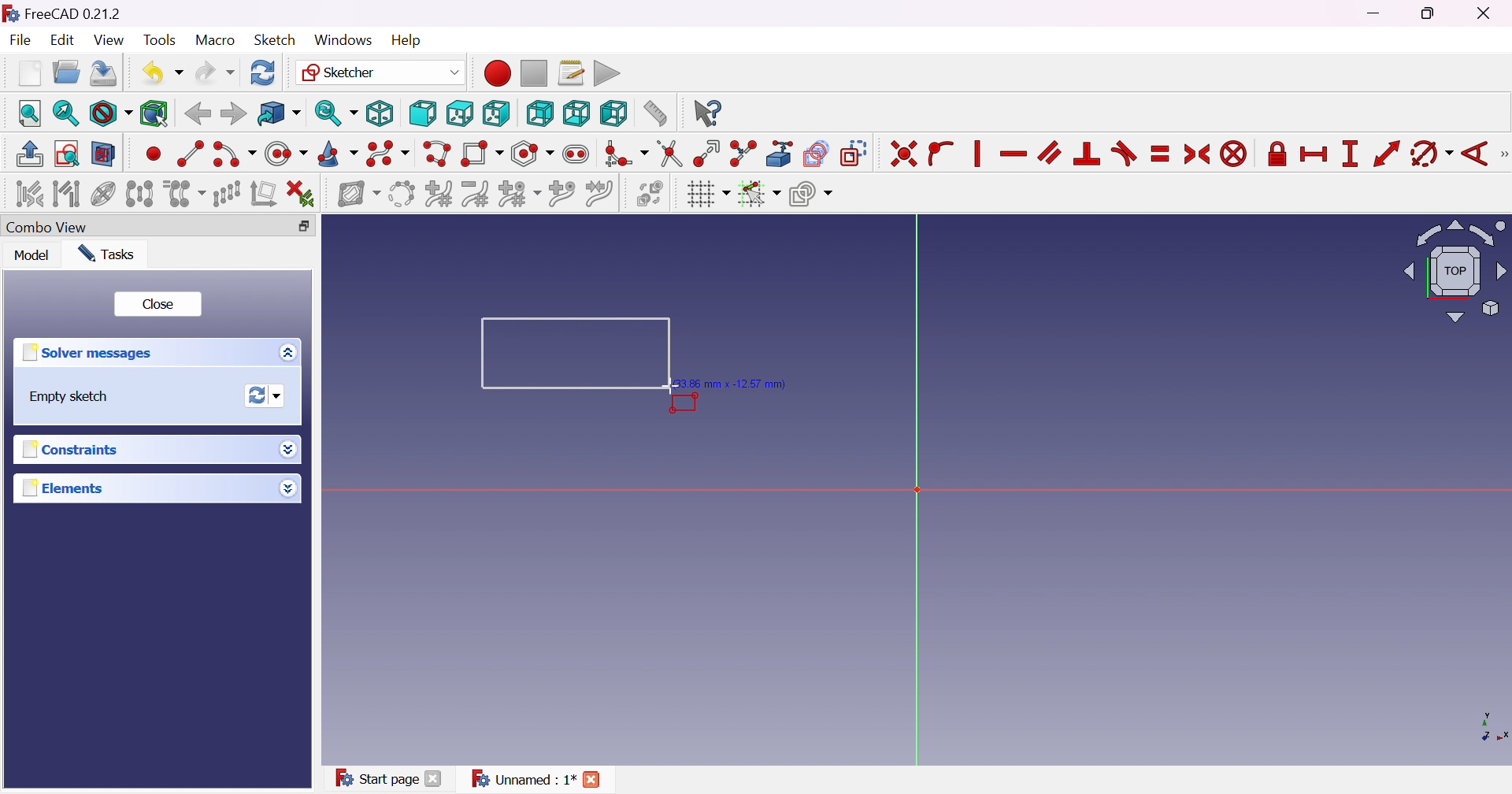 The width and height of the screenshot is (1512, 794). Describe the element at coordinates (1430, 15) in the screenshot. I see `Restore Down` at that location.